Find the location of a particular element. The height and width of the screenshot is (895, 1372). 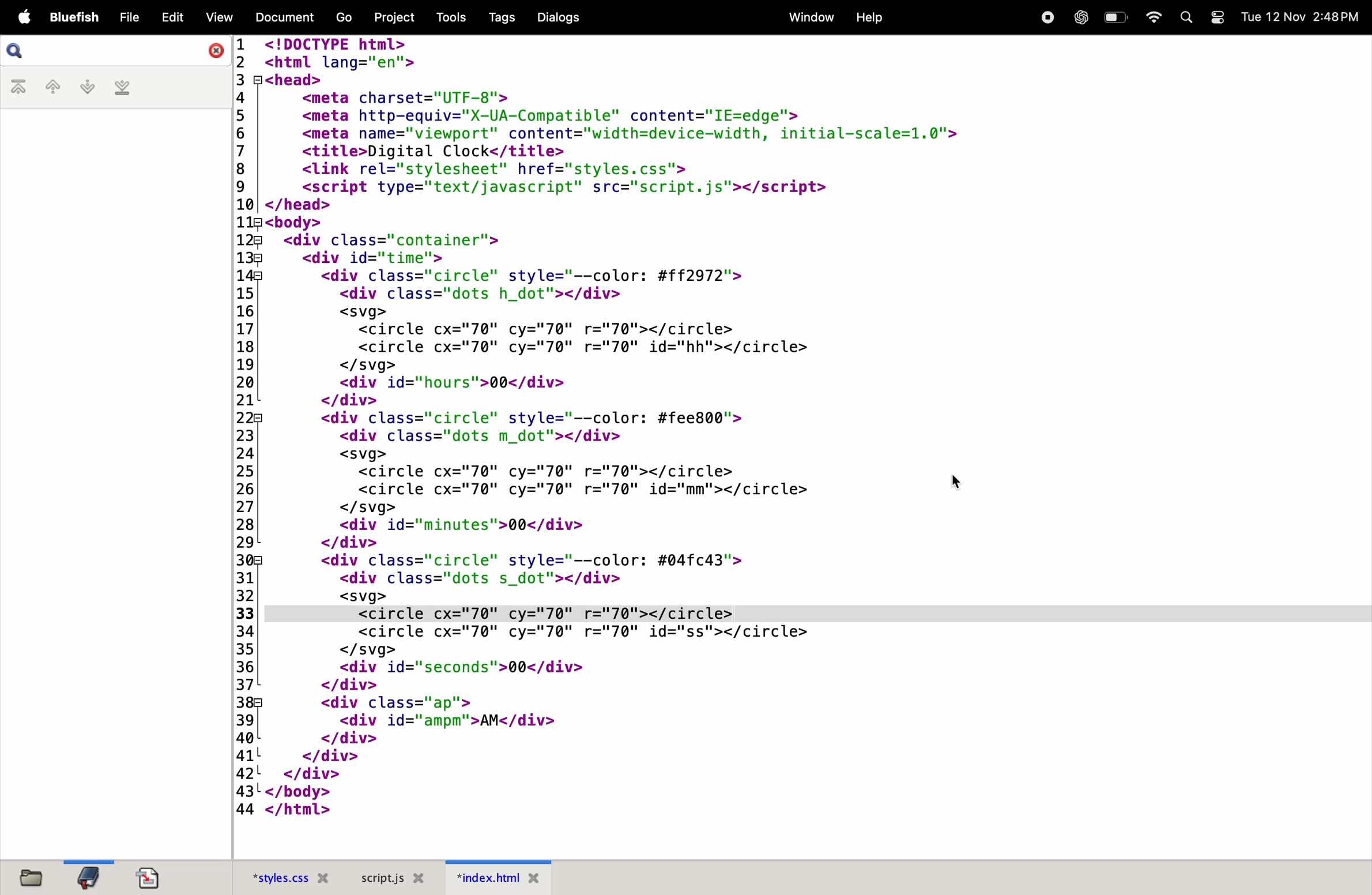

date and time is located at coordinates (1302, 16).